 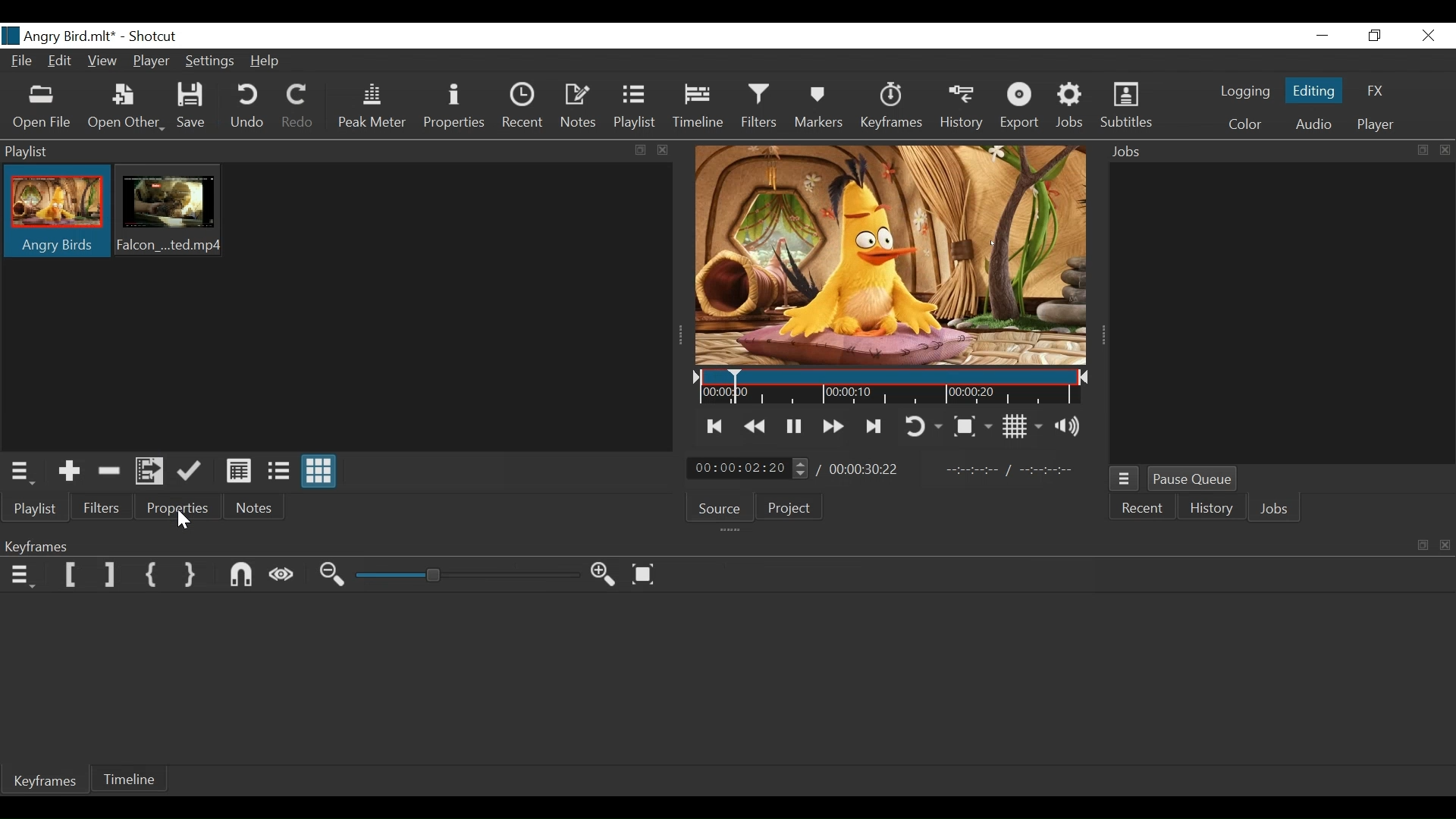 What do you see at coordinates (1311, 90) in the screenshot?
I see `Editing` at bounding box center [1311, 90].